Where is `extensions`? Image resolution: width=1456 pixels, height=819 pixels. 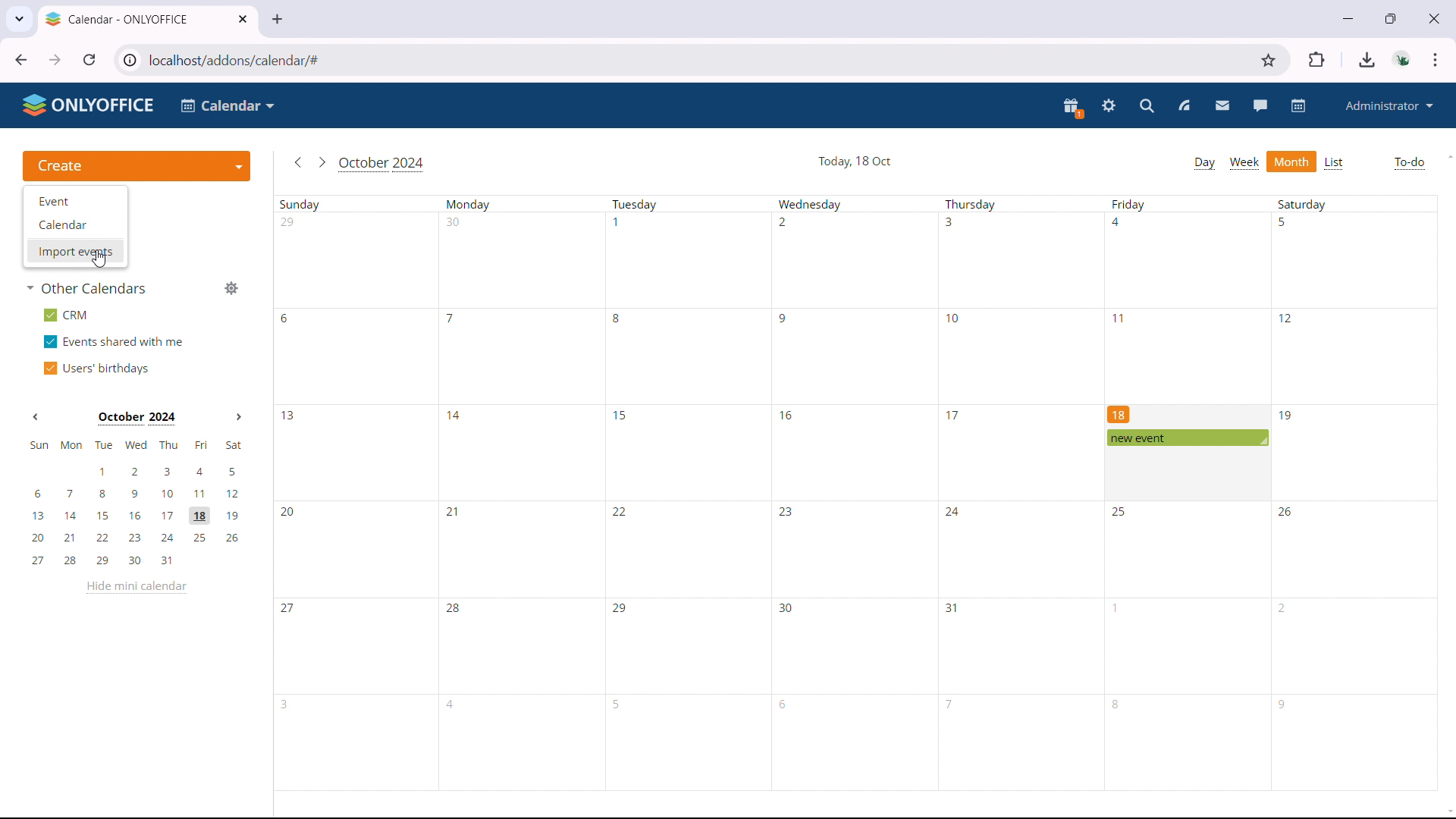 extensions is located at coordinates (1318, 59).